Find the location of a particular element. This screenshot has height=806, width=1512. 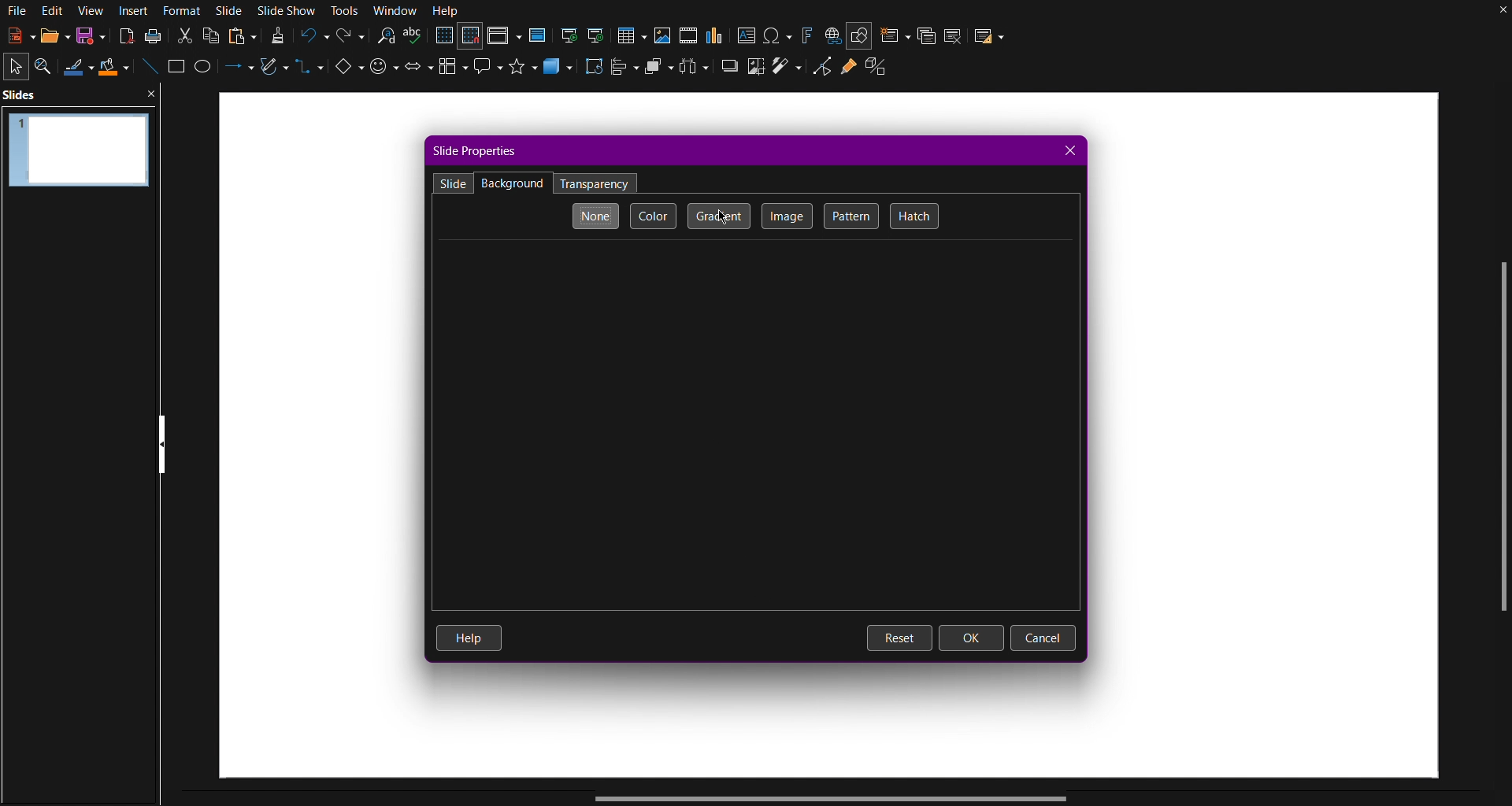

Align Objects is located at coordinates (627, 72).